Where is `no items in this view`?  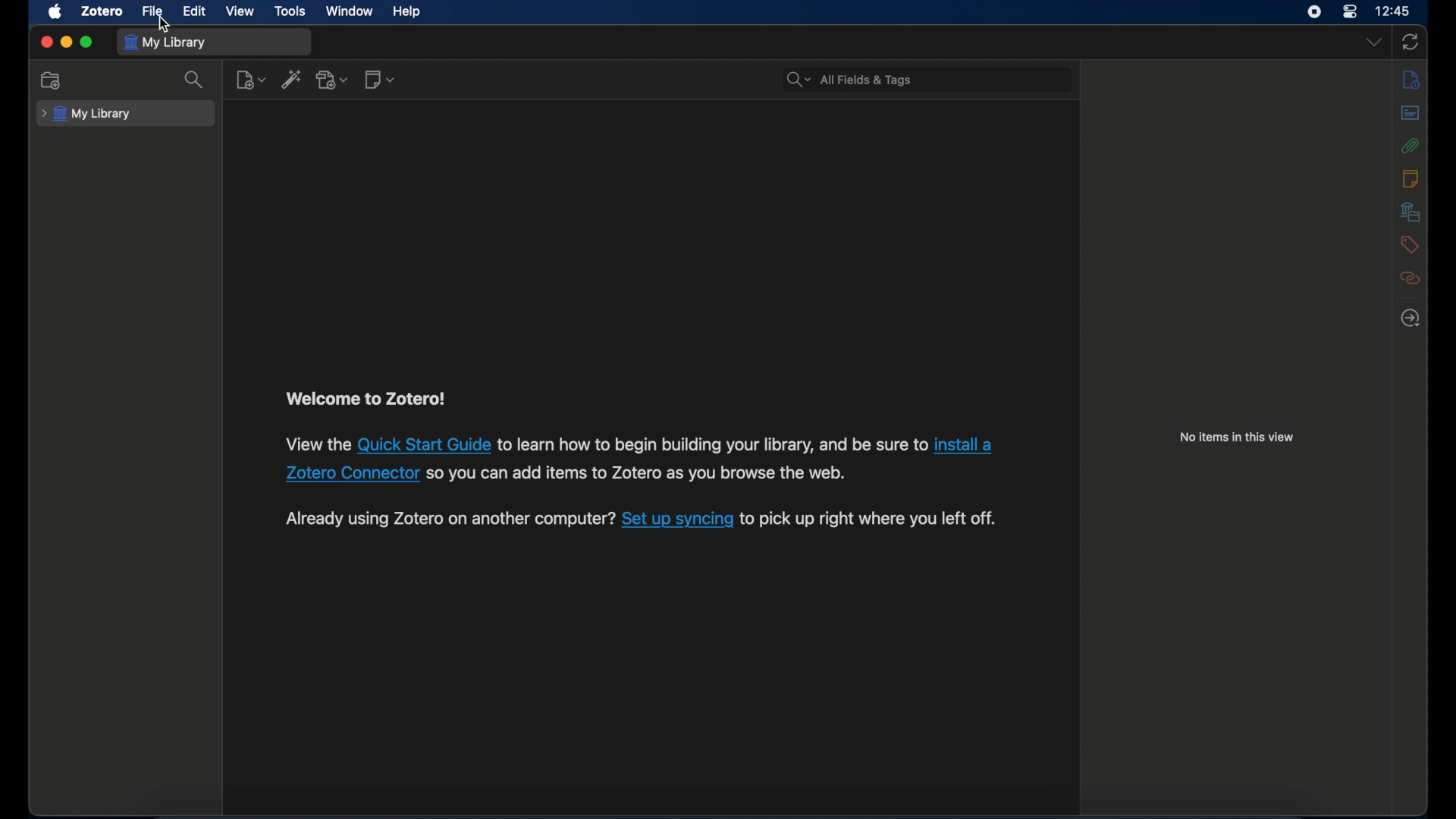
no items in this view is located at coordinates (1237, 437).